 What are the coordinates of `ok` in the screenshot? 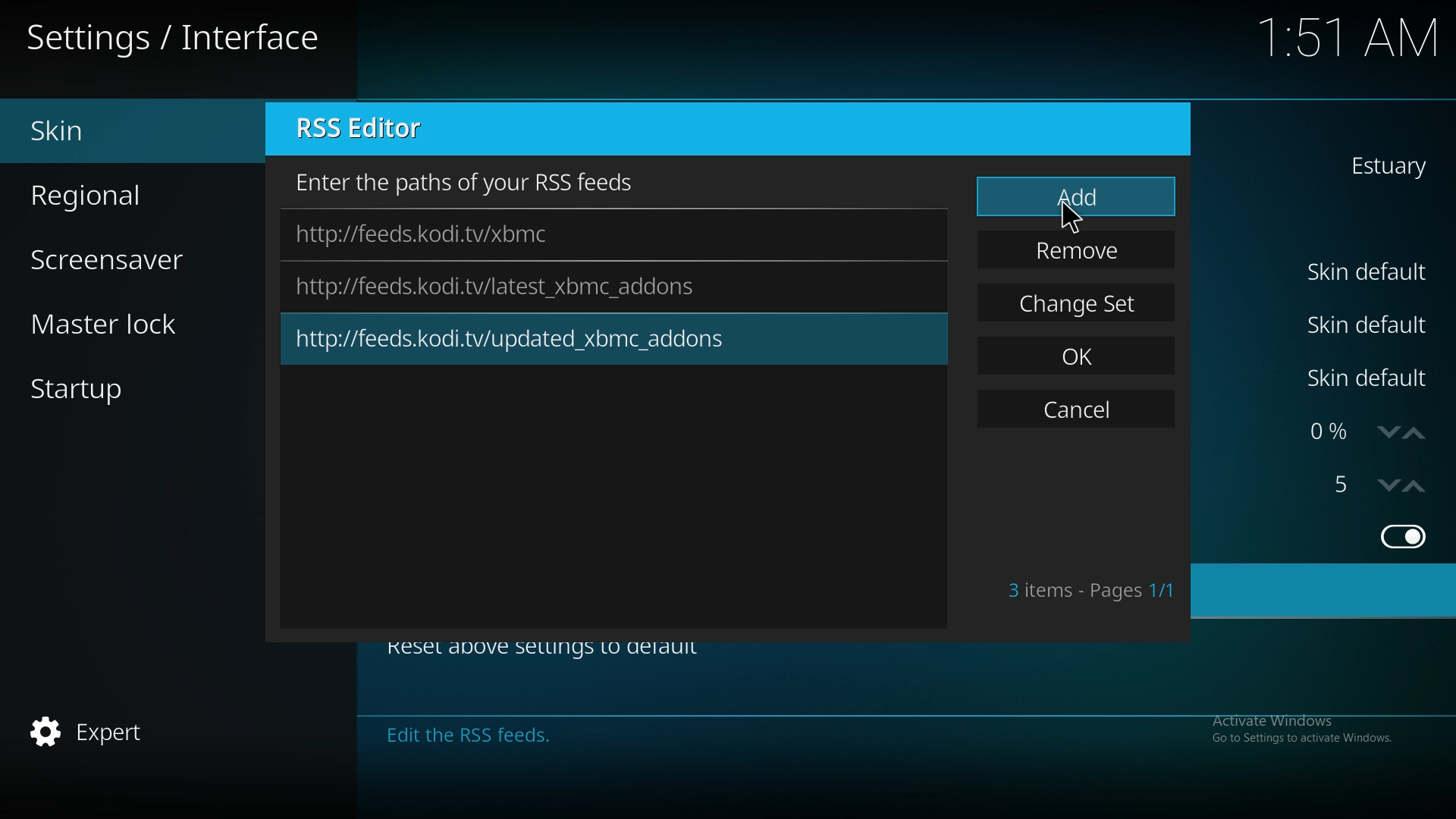 It's located at (1079, 352).